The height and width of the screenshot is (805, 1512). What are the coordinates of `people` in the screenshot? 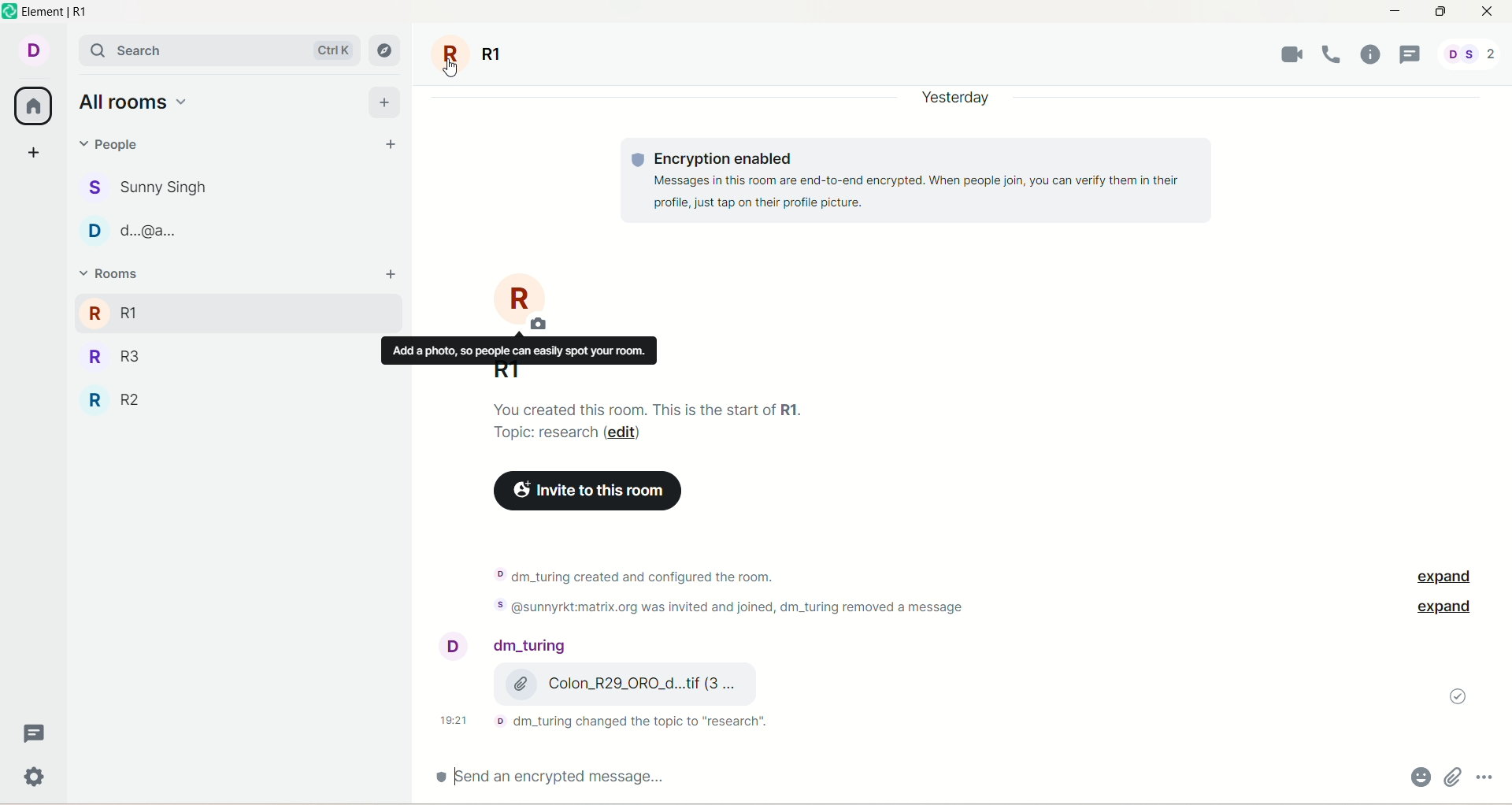 It's located at (165, 186).